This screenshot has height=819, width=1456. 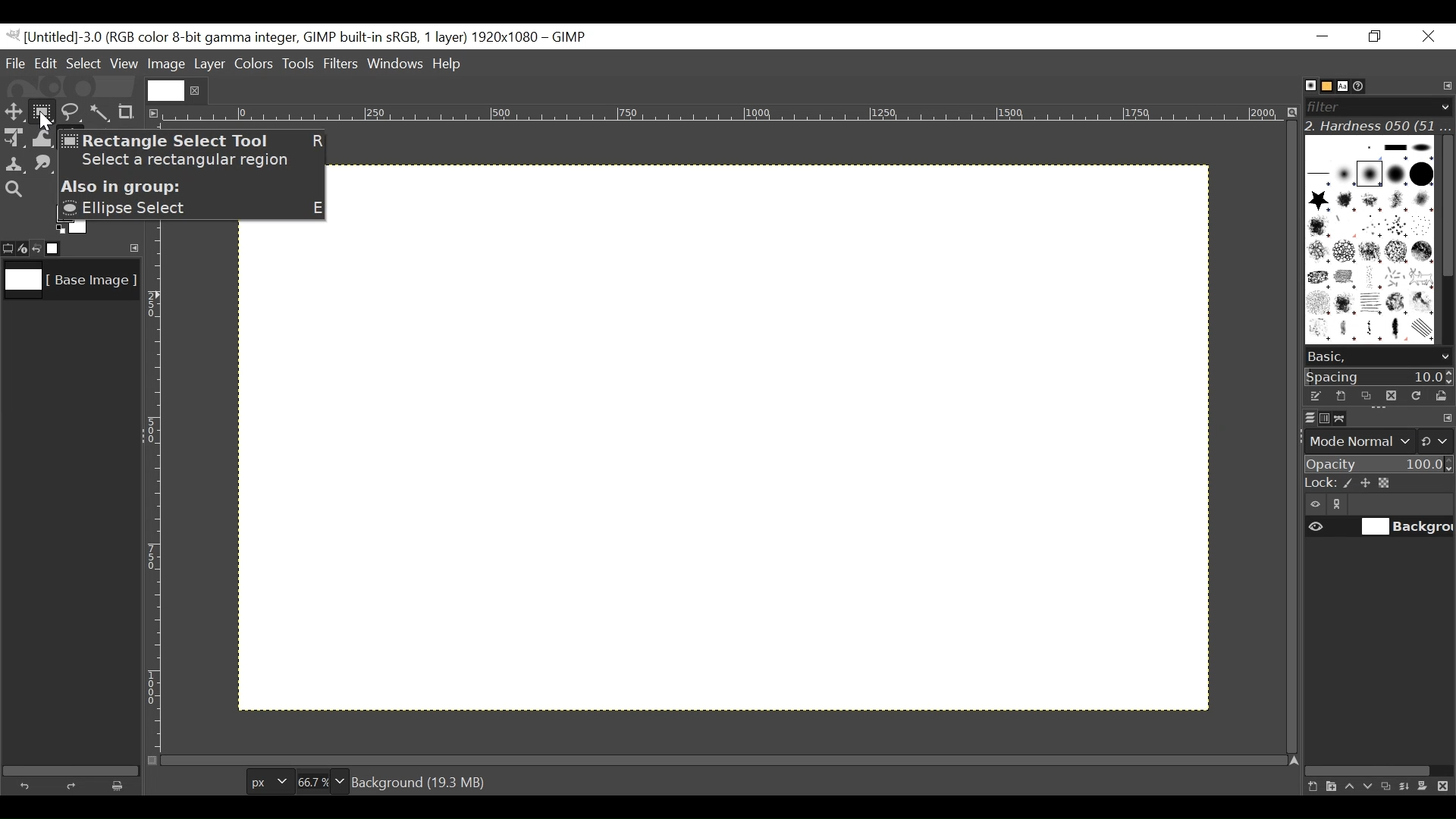 I want to click on Configure tab, so click(x=1445, y=86).